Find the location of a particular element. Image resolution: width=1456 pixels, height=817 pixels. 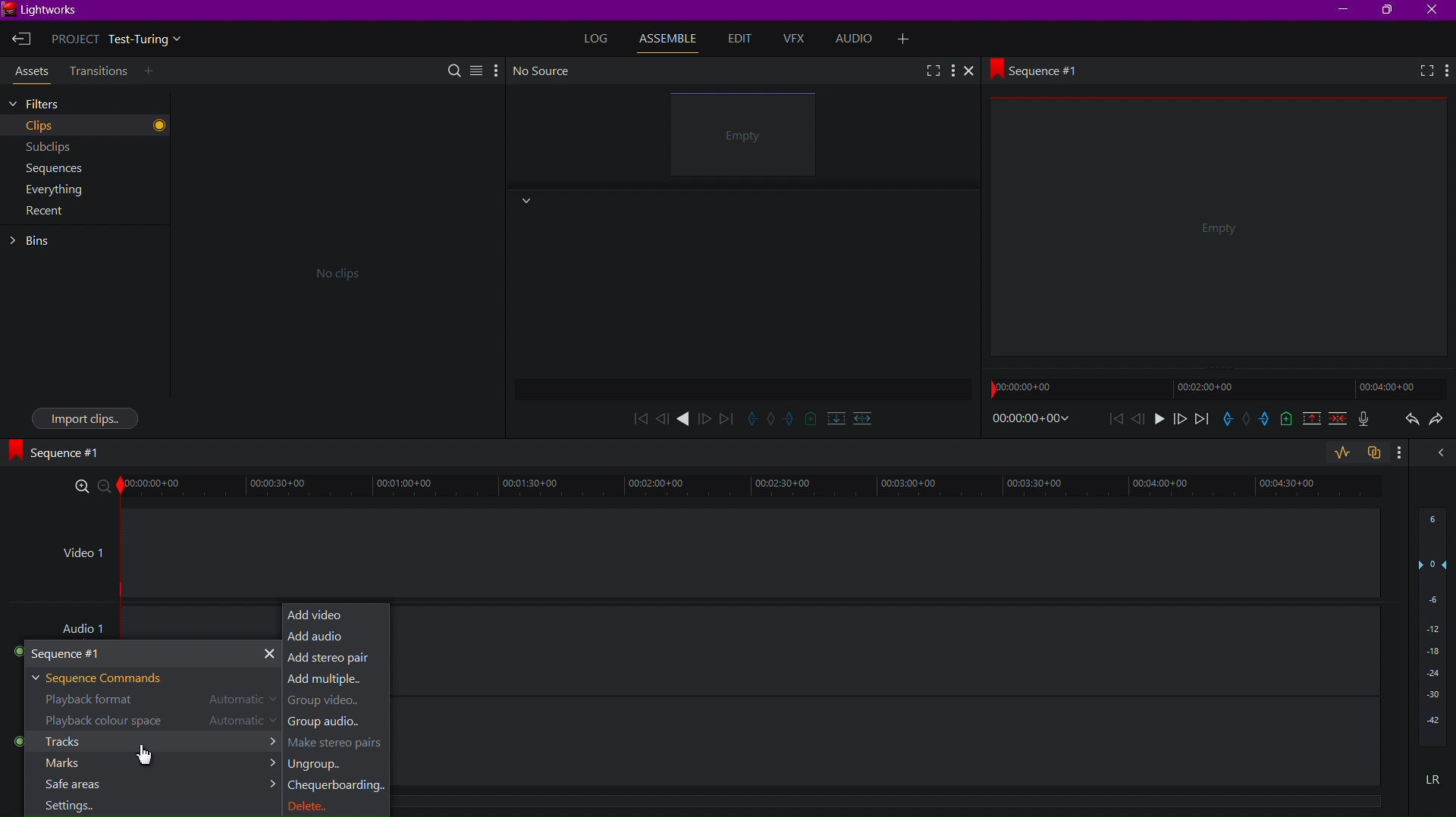

Fullscreen is located at coordinates (931, 70).